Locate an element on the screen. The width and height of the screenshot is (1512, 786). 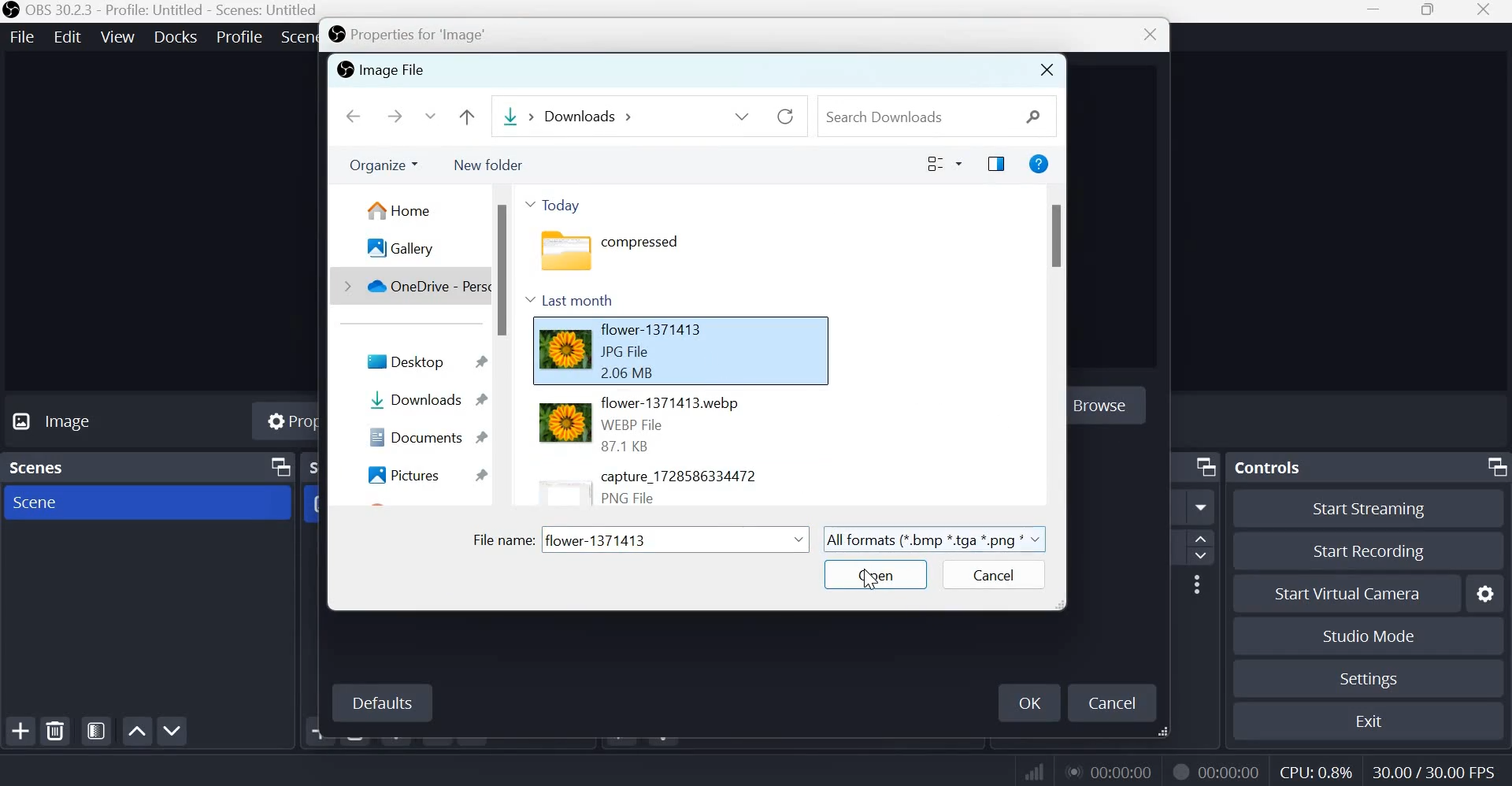
Controls is located at coordinates (1268, 466).